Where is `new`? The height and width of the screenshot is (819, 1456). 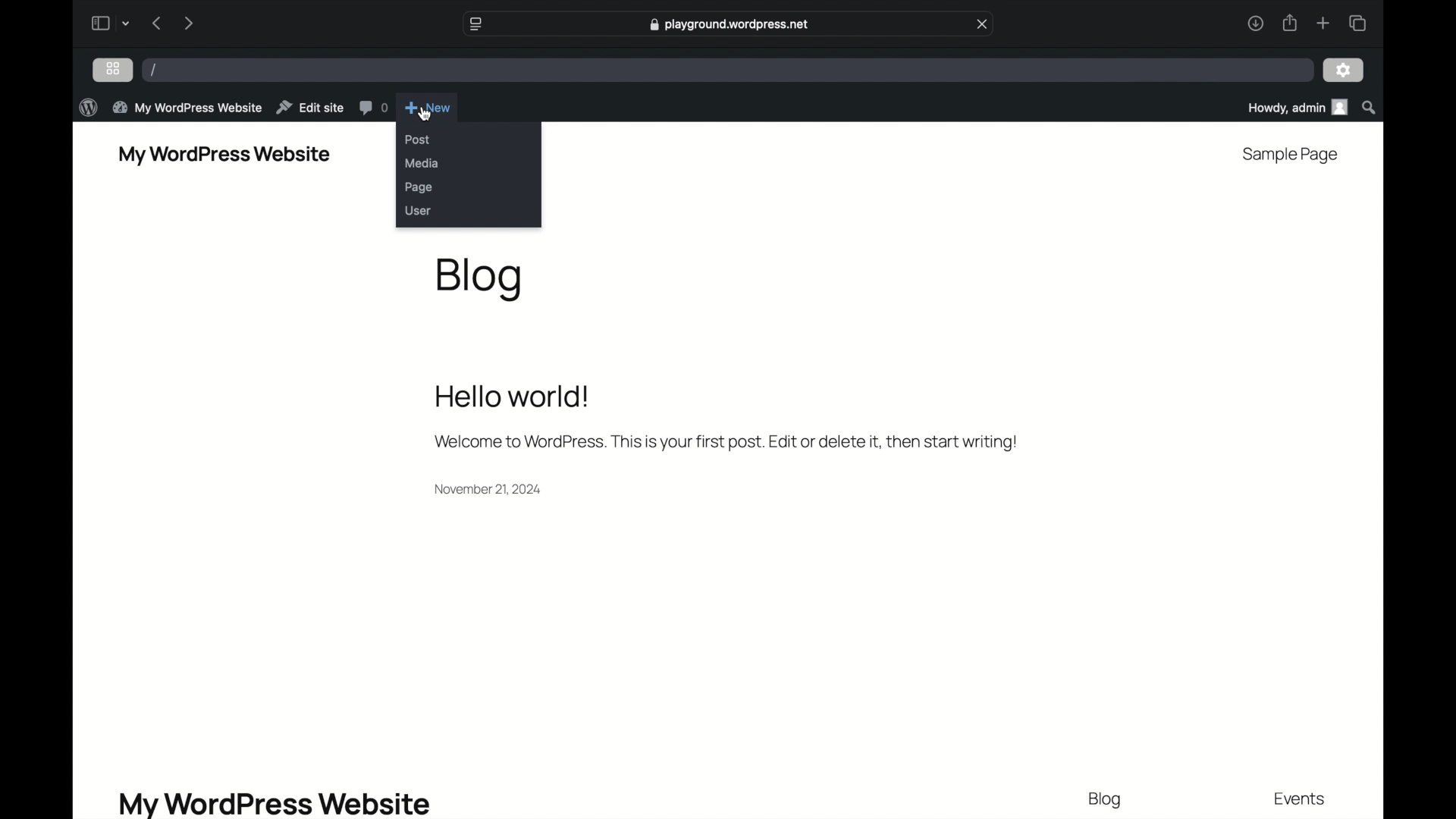 new is located at coordinates (429, 108).